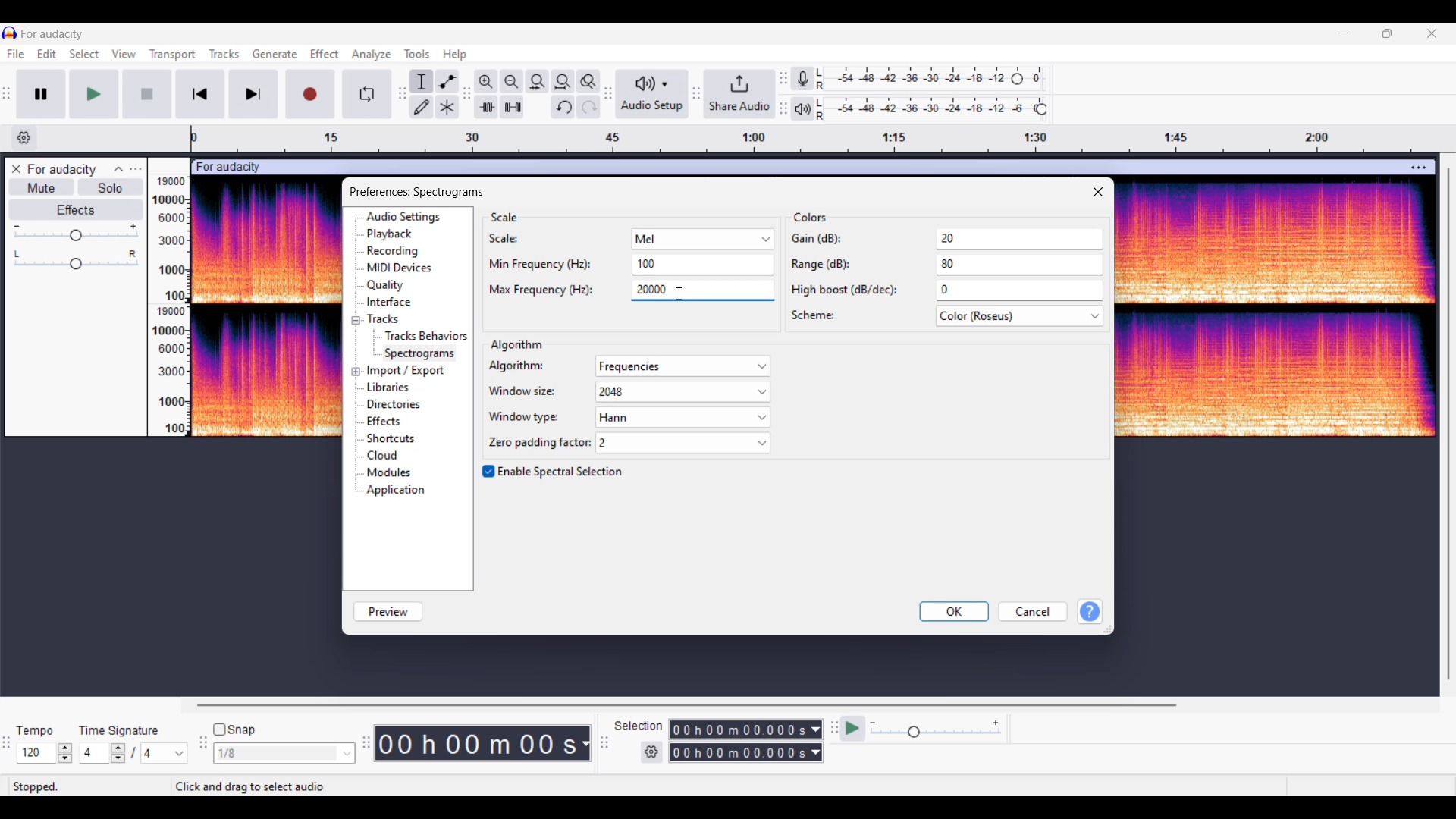 This screenshot has width=1456, height=819. Describe the element at coordinates (588, 82) in the screenshot. I see `Zoom toggle` at that location.